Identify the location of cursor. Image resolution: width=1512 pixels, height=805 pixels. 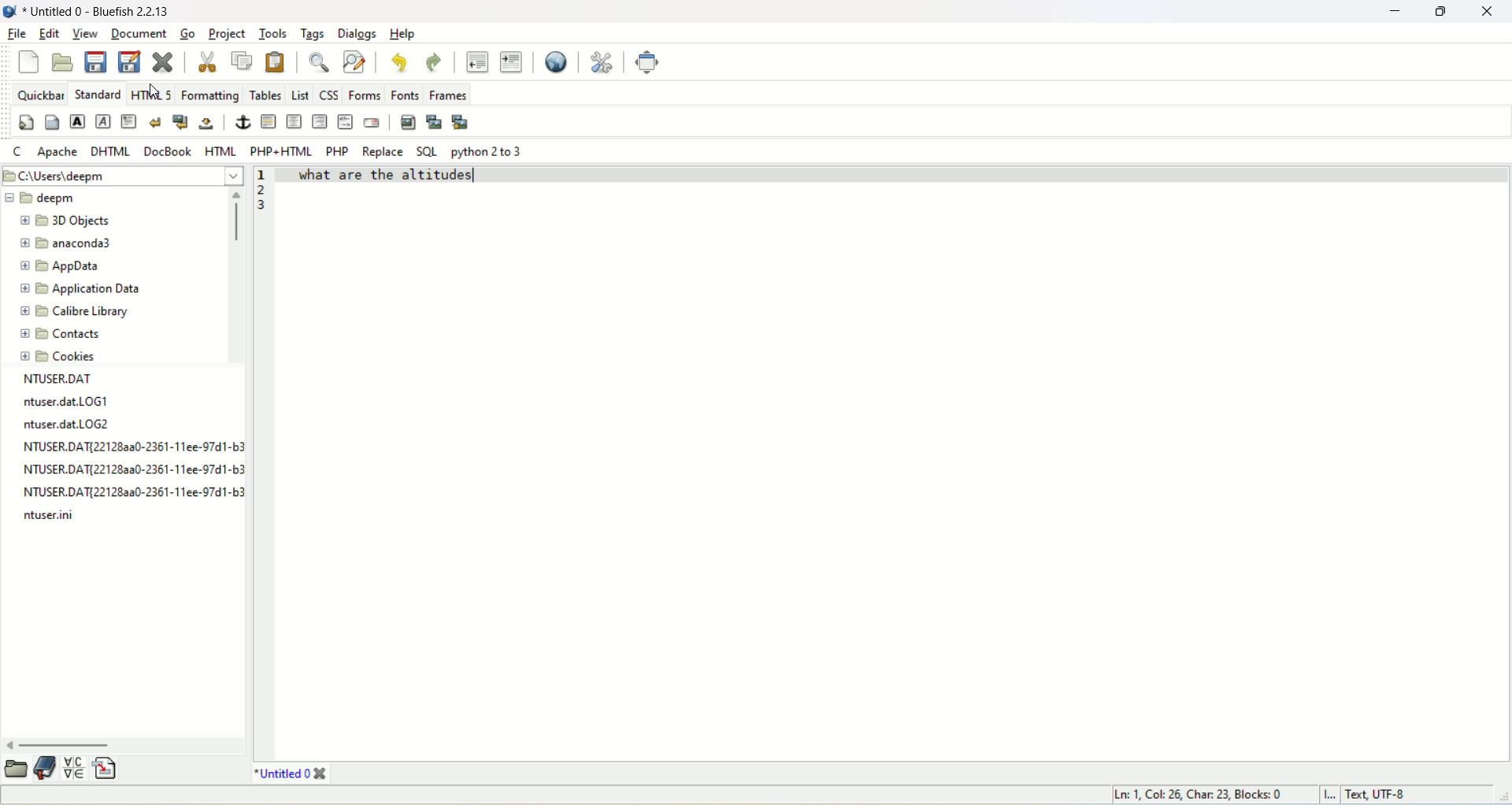
(156, 90).